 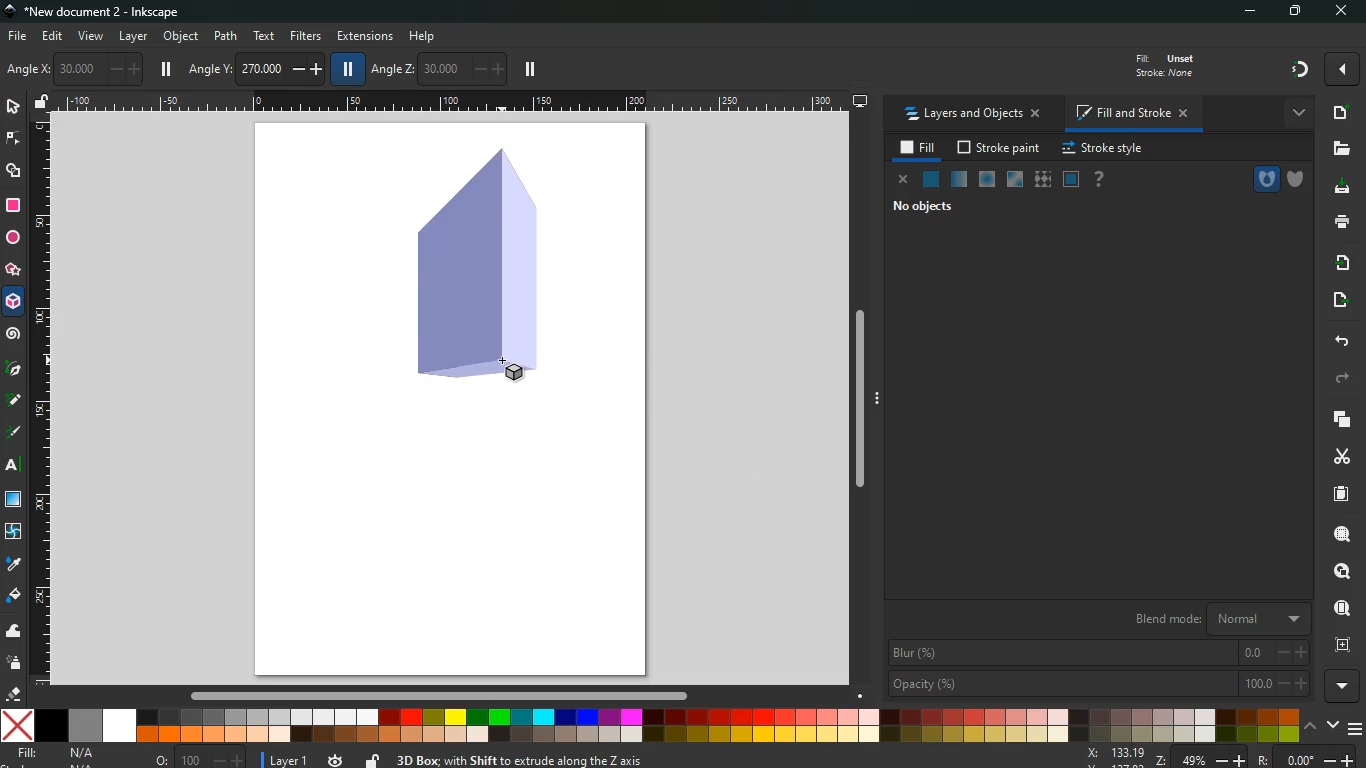 What do you see at coordinates (1334, 726) in the screenshot?
I see `down` at bounding box center [1334, 726].